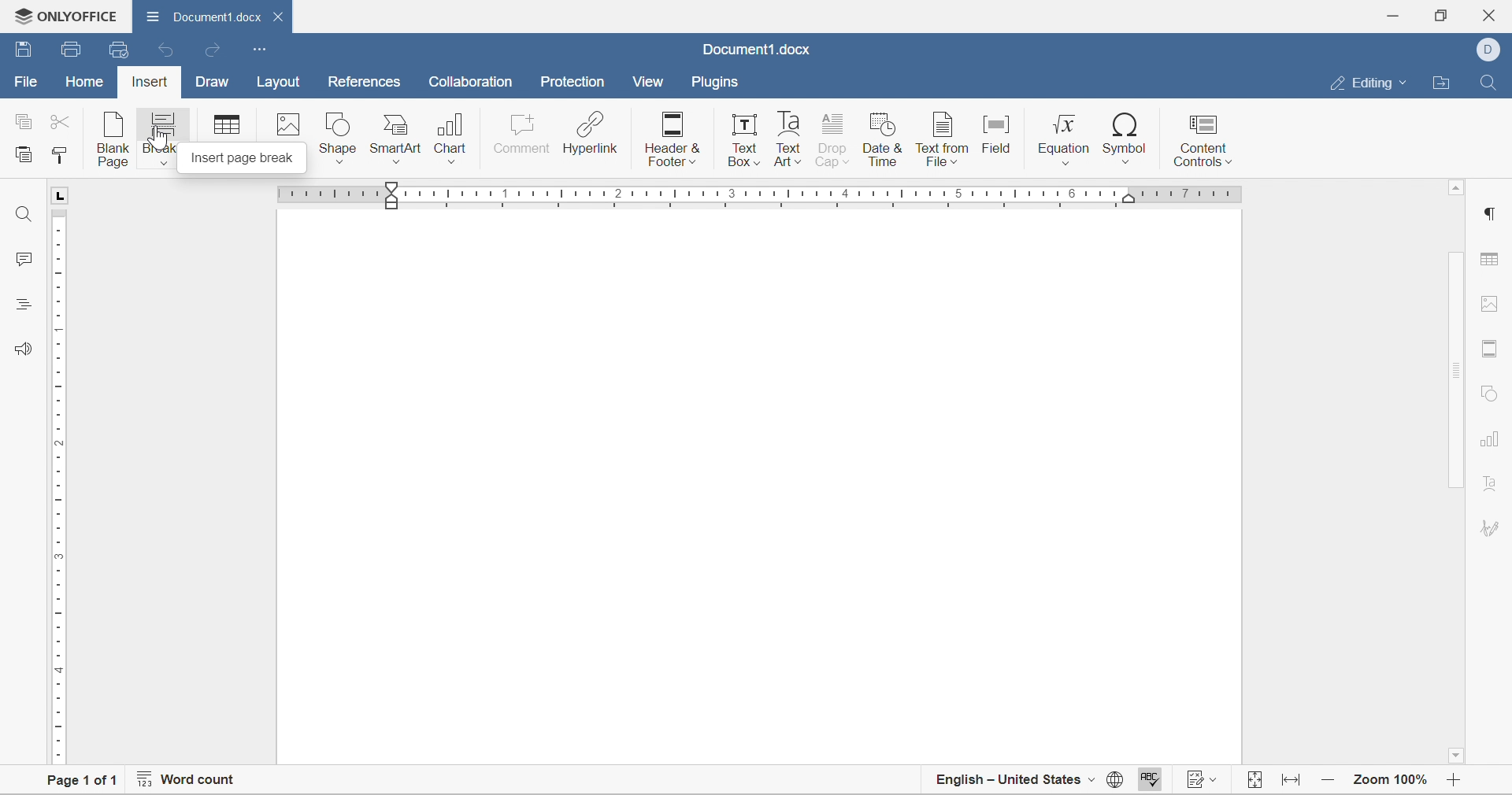  I want to click on Track changes, so click(1203, 782).